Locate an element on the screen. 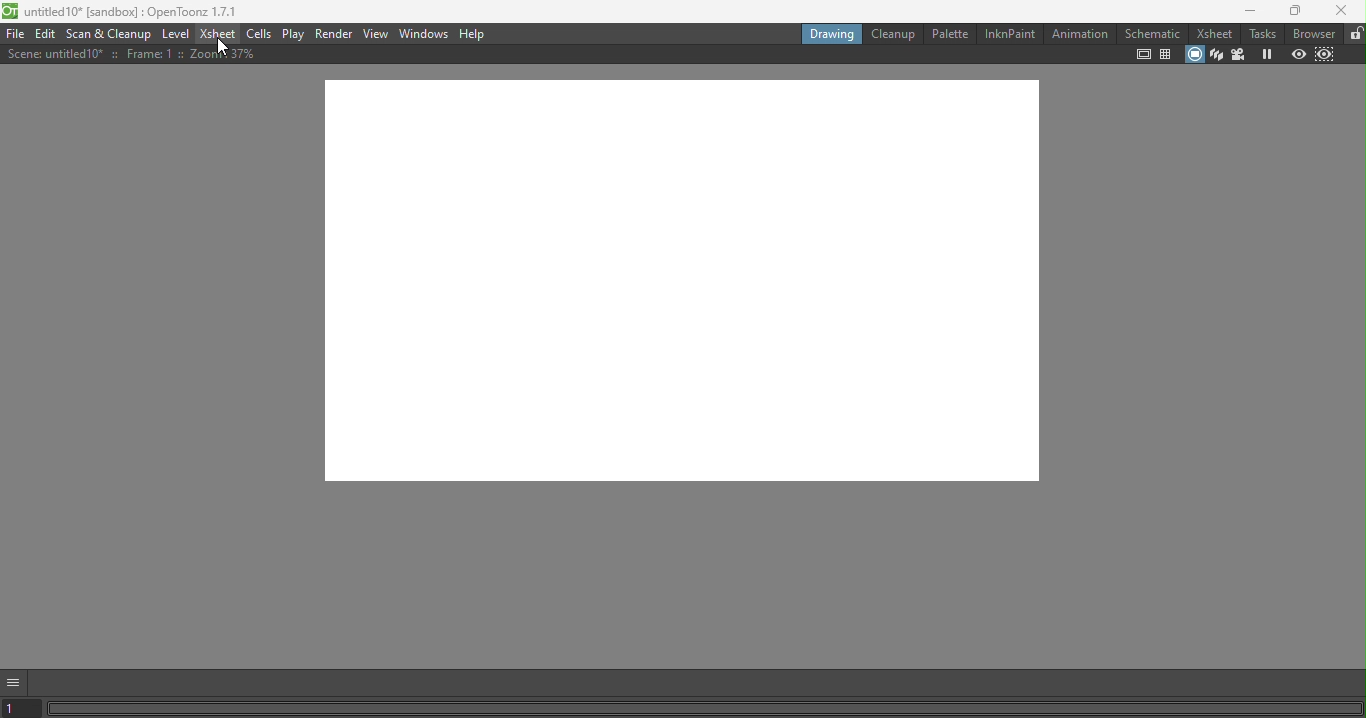 The height and width of the screenshot is (718, 1366). Freeze is located at coordinates (1267, 55).